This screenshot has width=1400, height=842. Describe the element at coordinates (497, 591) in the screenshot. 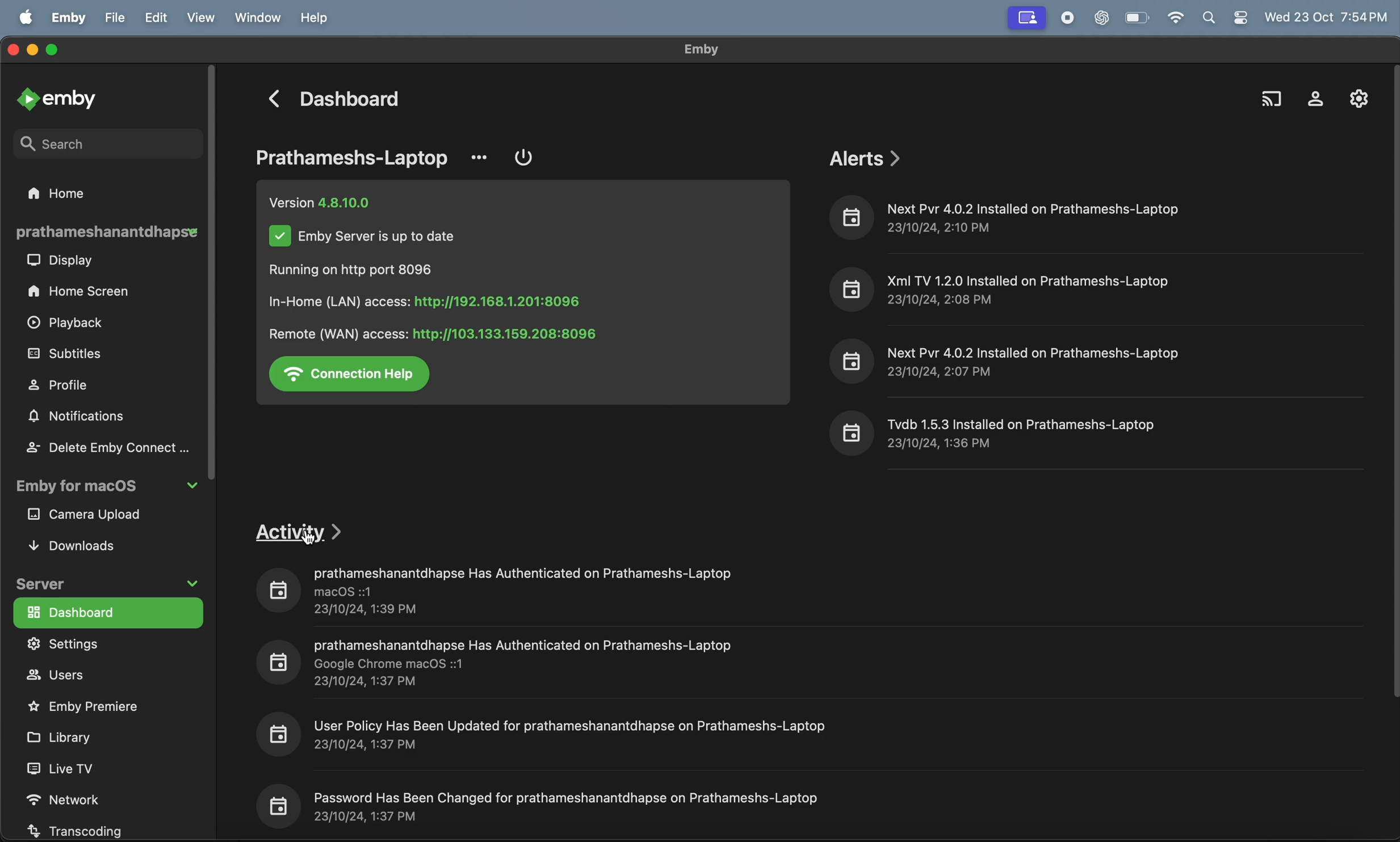

I see `prathameshanantdhapse Has Authenticated on Prathameshs-Laptop
B58 macOS ::1
23/10/24, 1:39 PM` at that location.